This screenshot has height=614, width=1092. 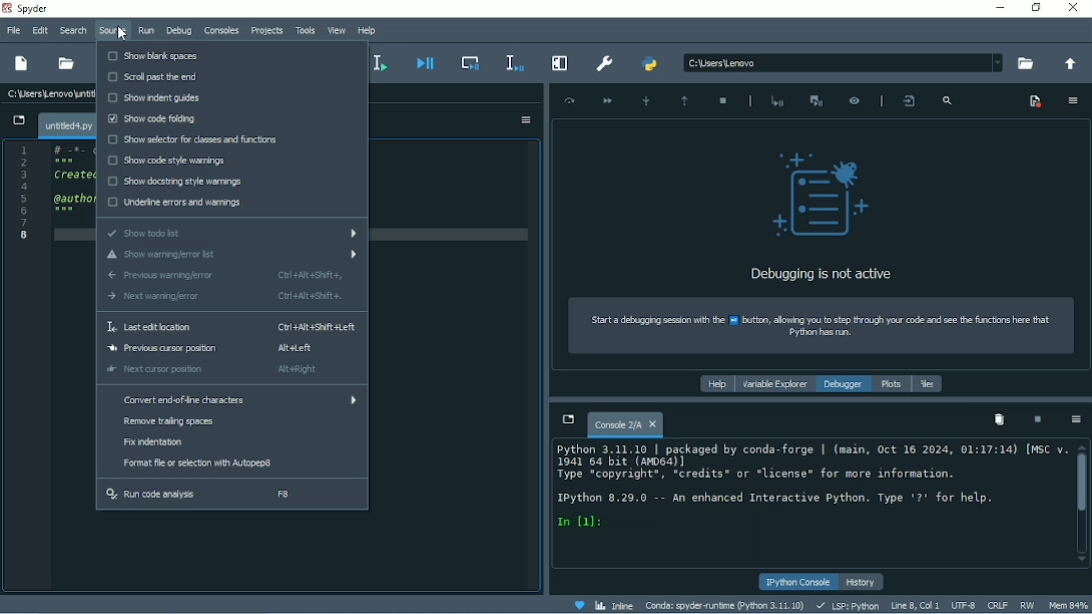 I want to click on CRLF, so click(x=998, y=605).